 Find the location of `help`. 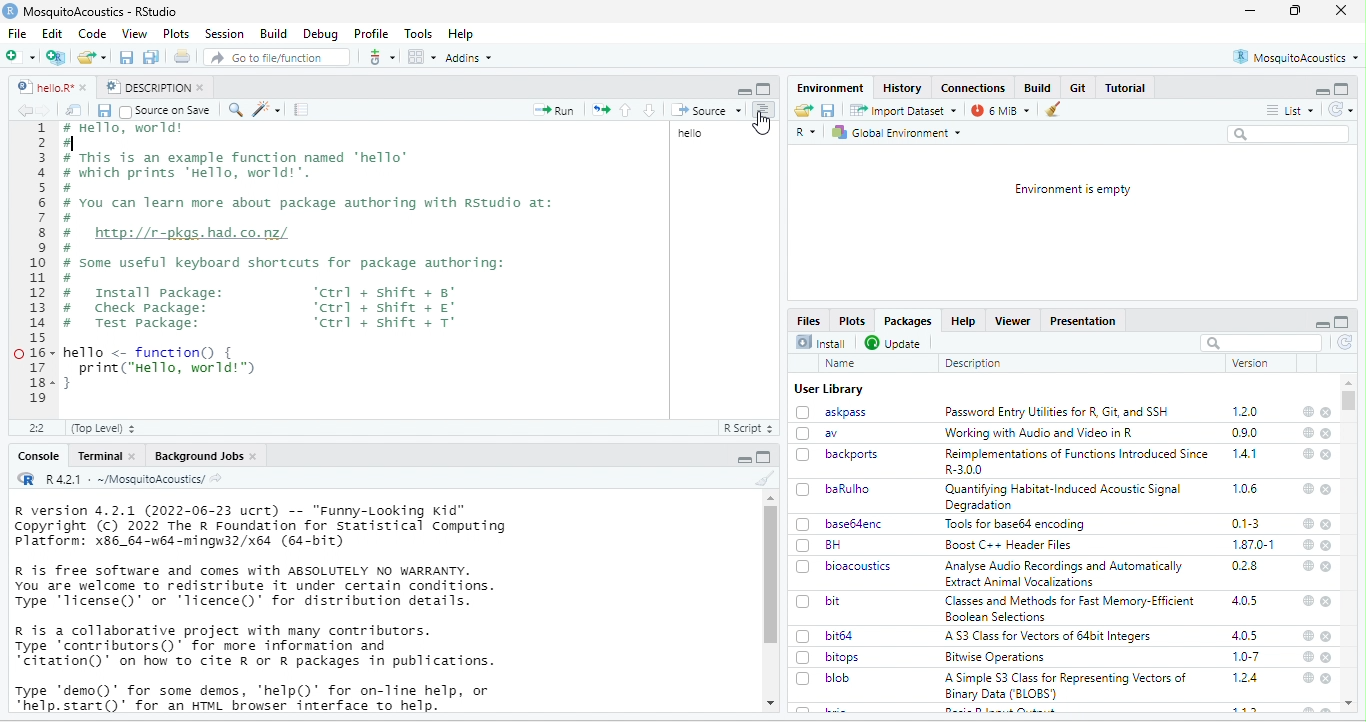

help is located at coordinates (1306, 679).